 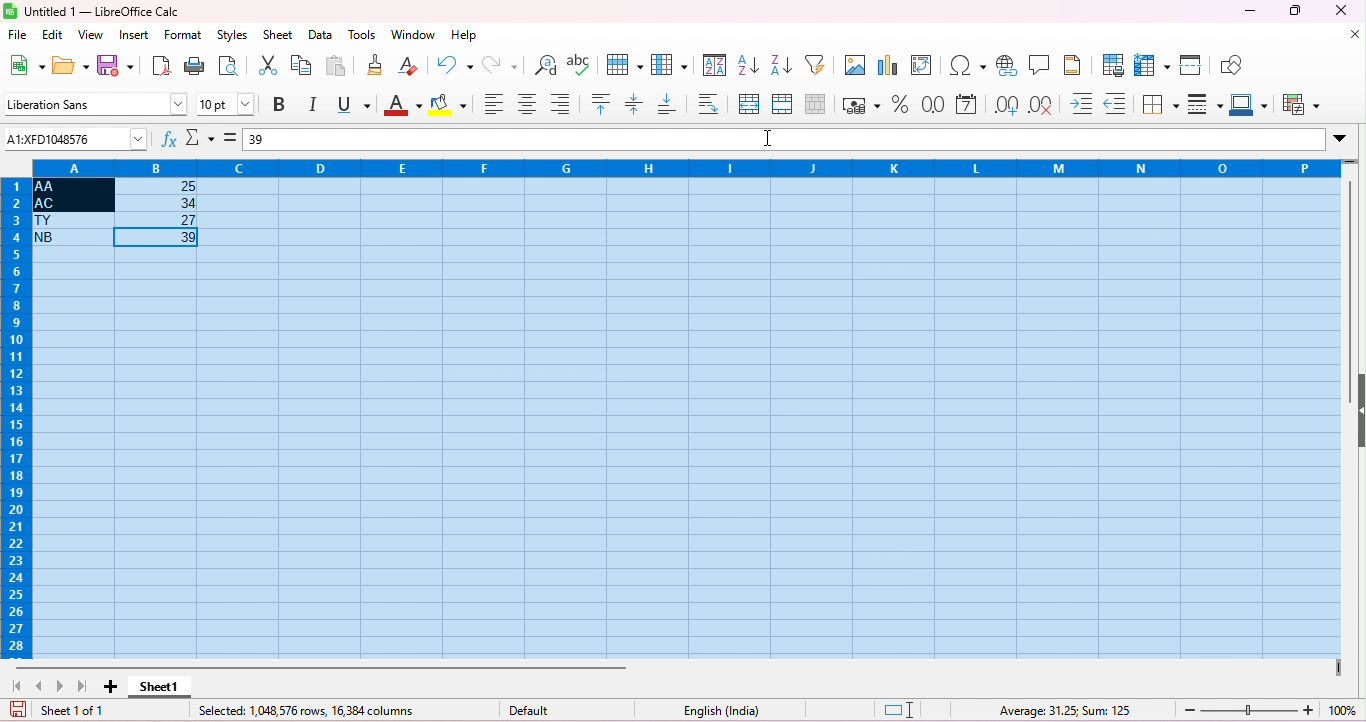 What do you see at coordinates (315, 105) in the screenshot?
I see `italics` at bounding box center [315, 105].